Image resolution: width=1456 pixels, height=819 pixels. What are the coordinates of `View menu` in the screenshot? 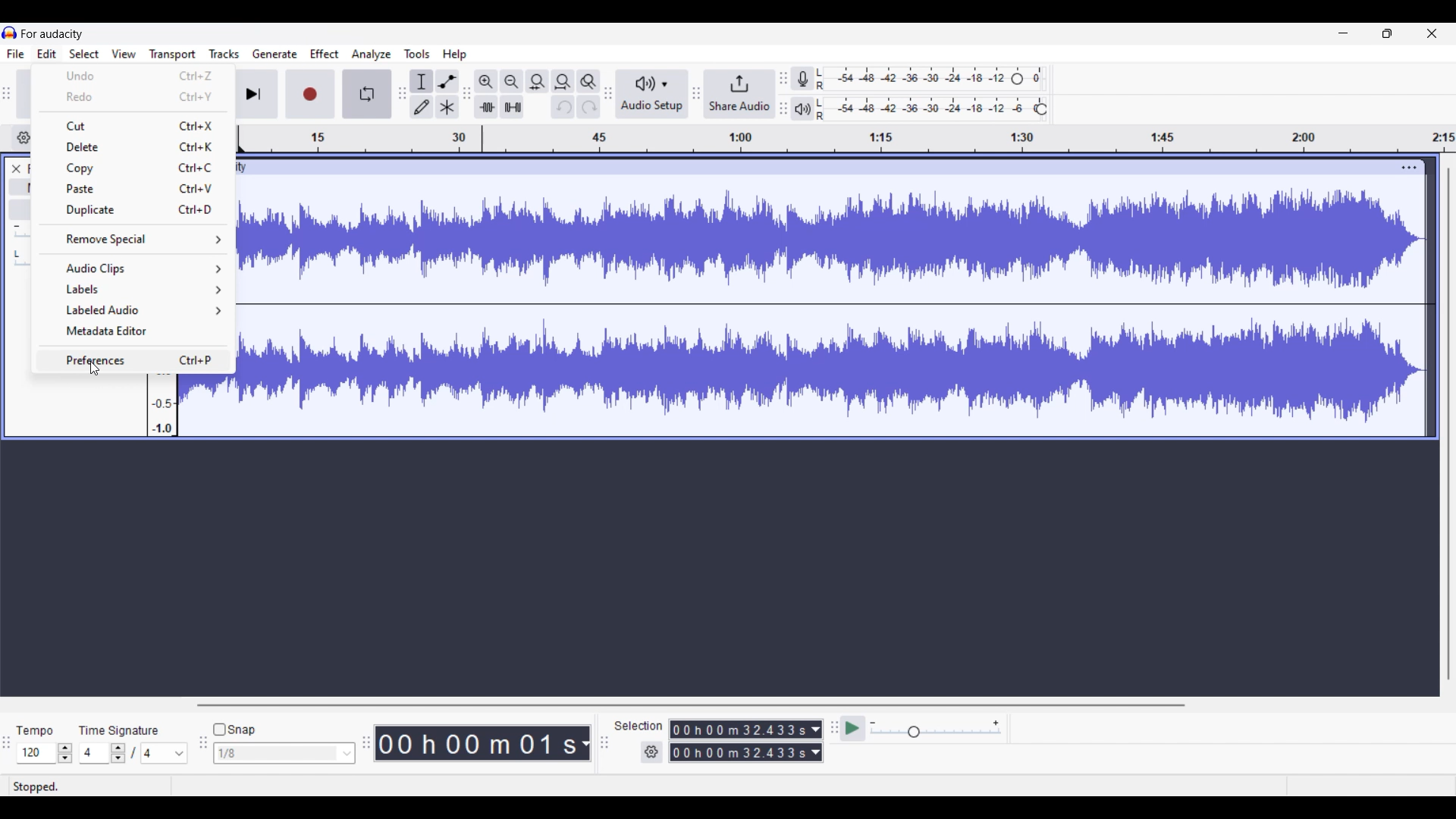 It's located at (124, 54).